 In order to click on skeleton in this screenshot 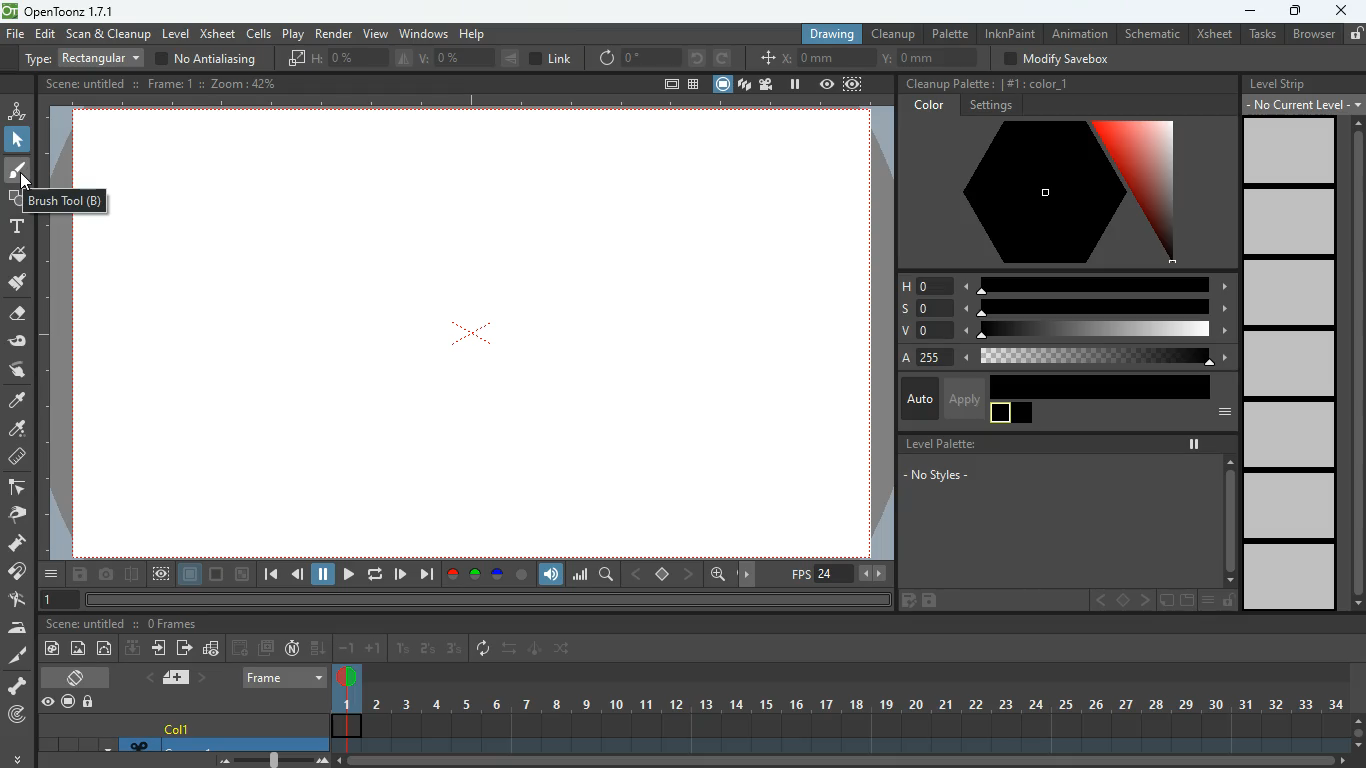, I will do `click(16, 685)`.